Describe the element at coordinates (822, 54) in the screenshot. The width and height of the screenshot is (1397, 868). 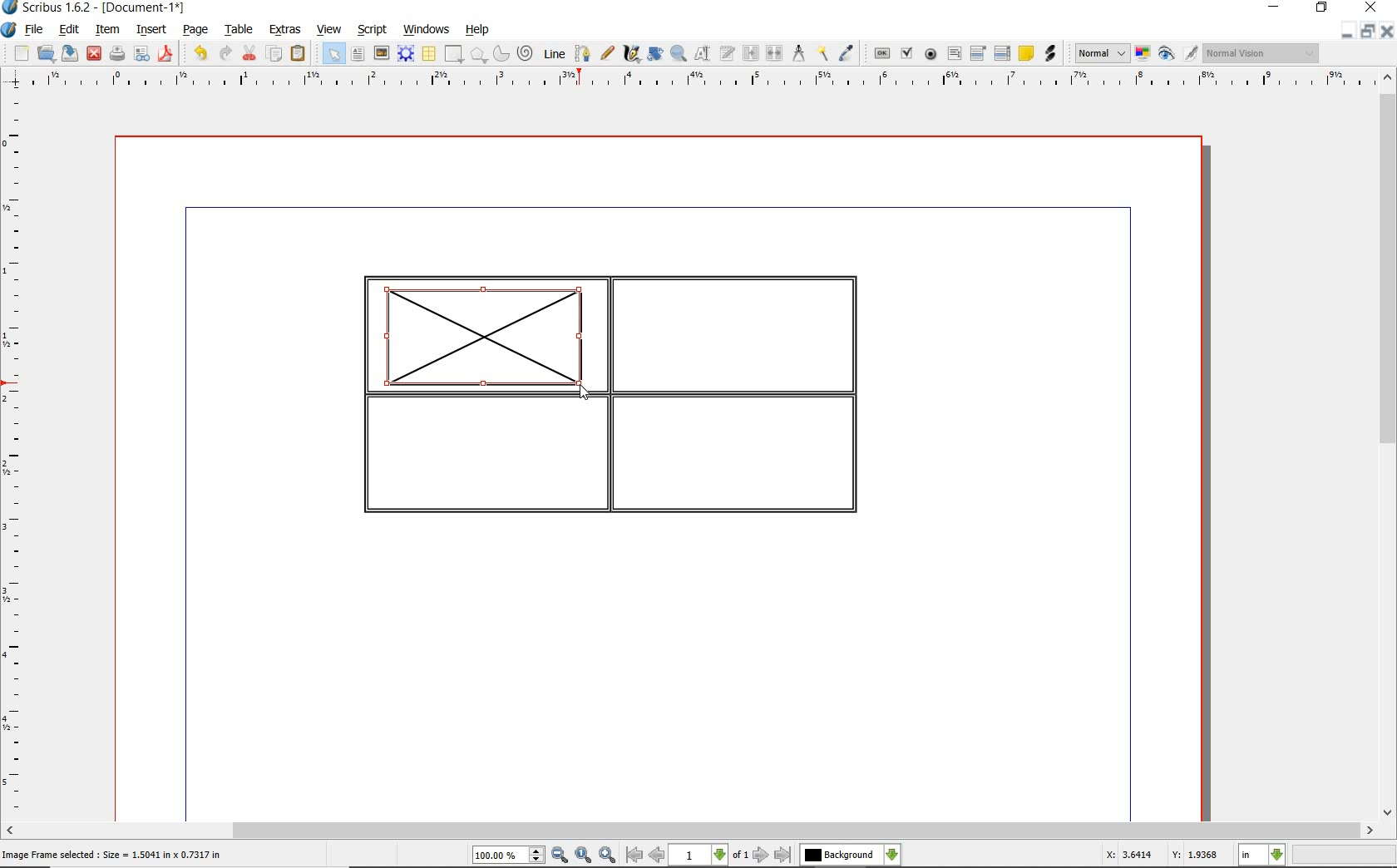
I see `copy item properties` at that location.